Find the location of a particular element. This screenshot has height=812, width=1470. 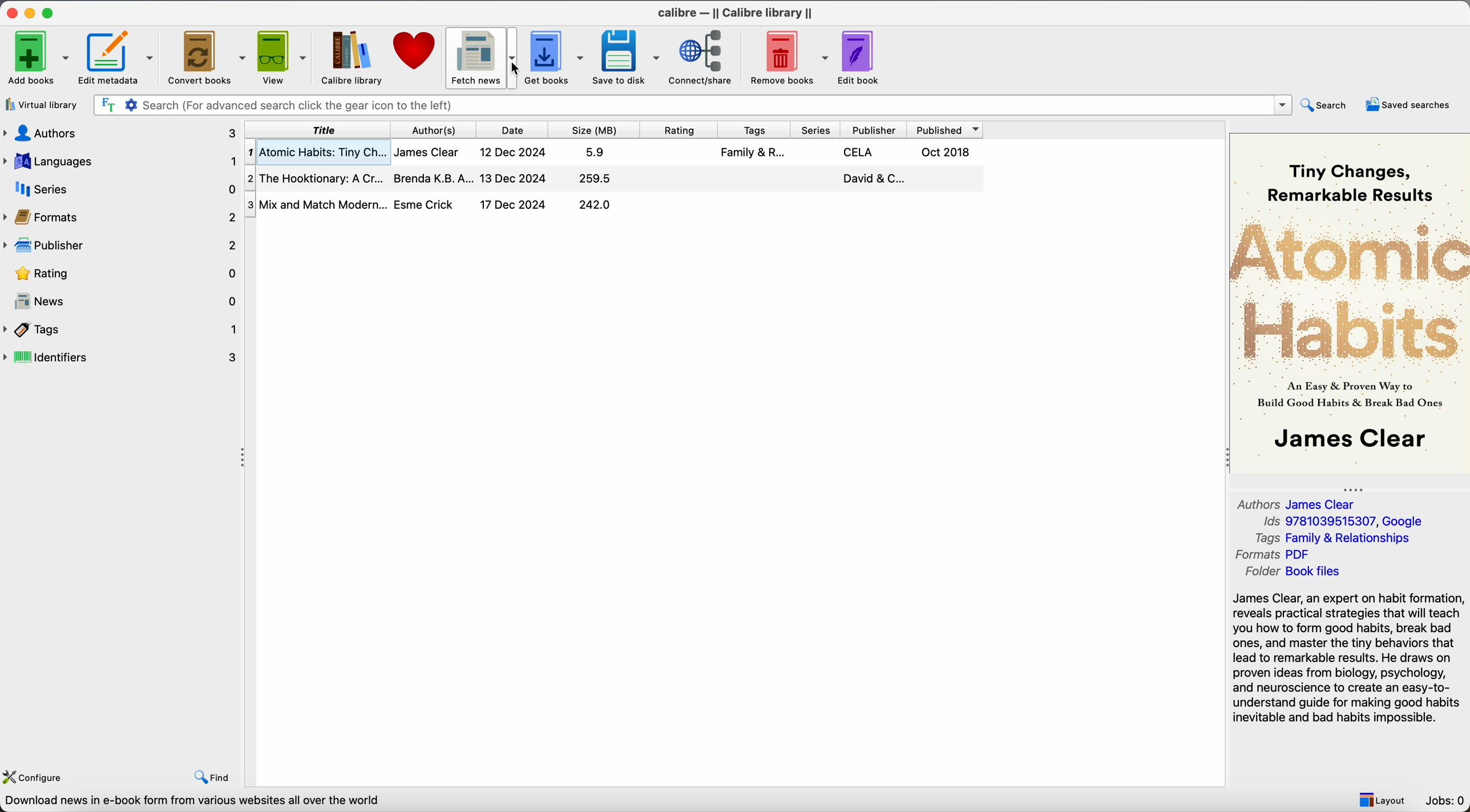

authors is located at coordinates (122, 134).